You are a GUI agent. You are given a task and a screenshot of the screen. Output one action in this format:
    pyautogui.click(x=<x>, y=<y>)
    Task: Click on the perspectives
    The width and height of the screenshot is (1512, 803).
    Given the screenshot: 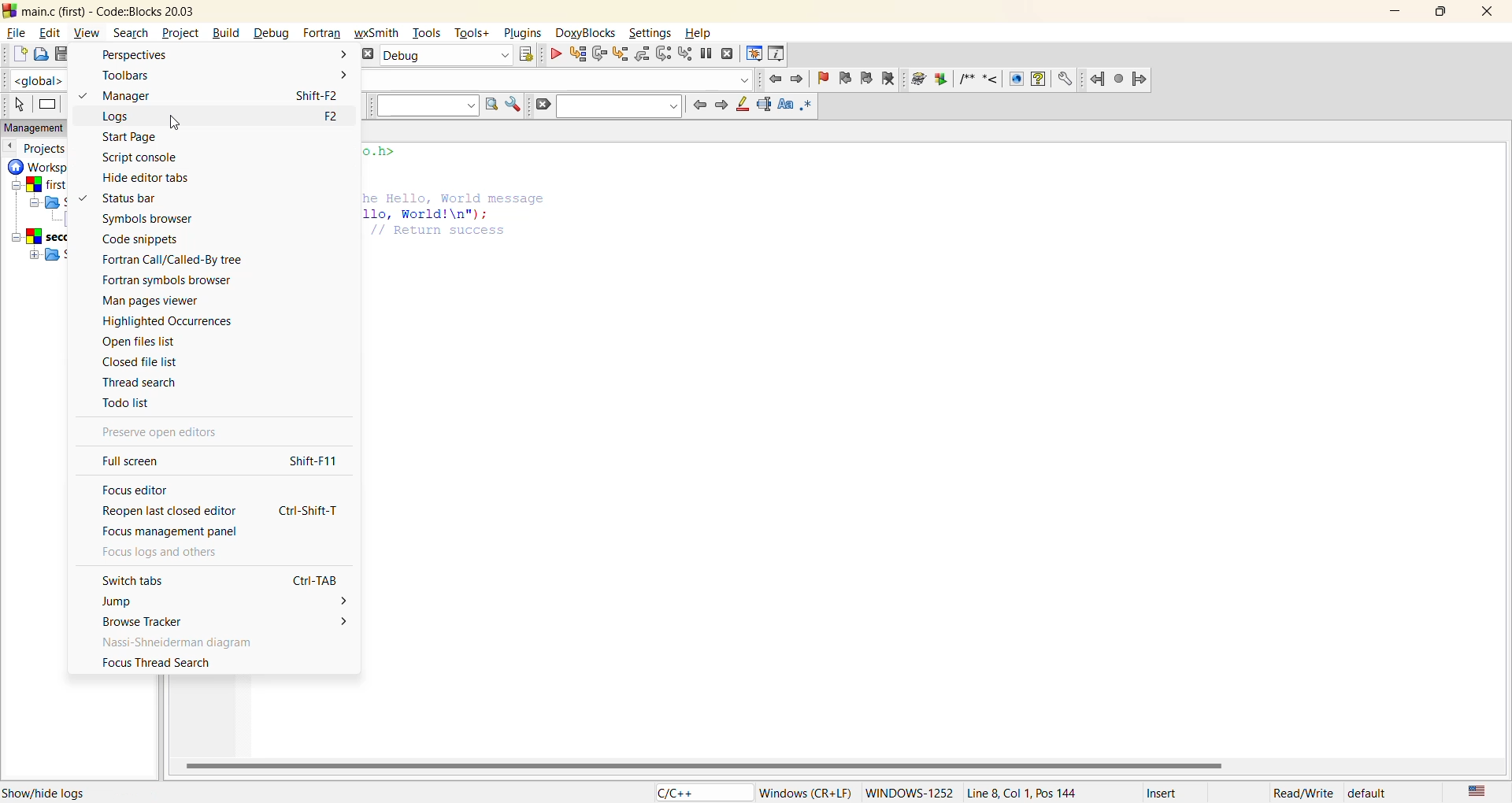 What is the action you would take?
    pyautogui.click(x=221, y=55)
    